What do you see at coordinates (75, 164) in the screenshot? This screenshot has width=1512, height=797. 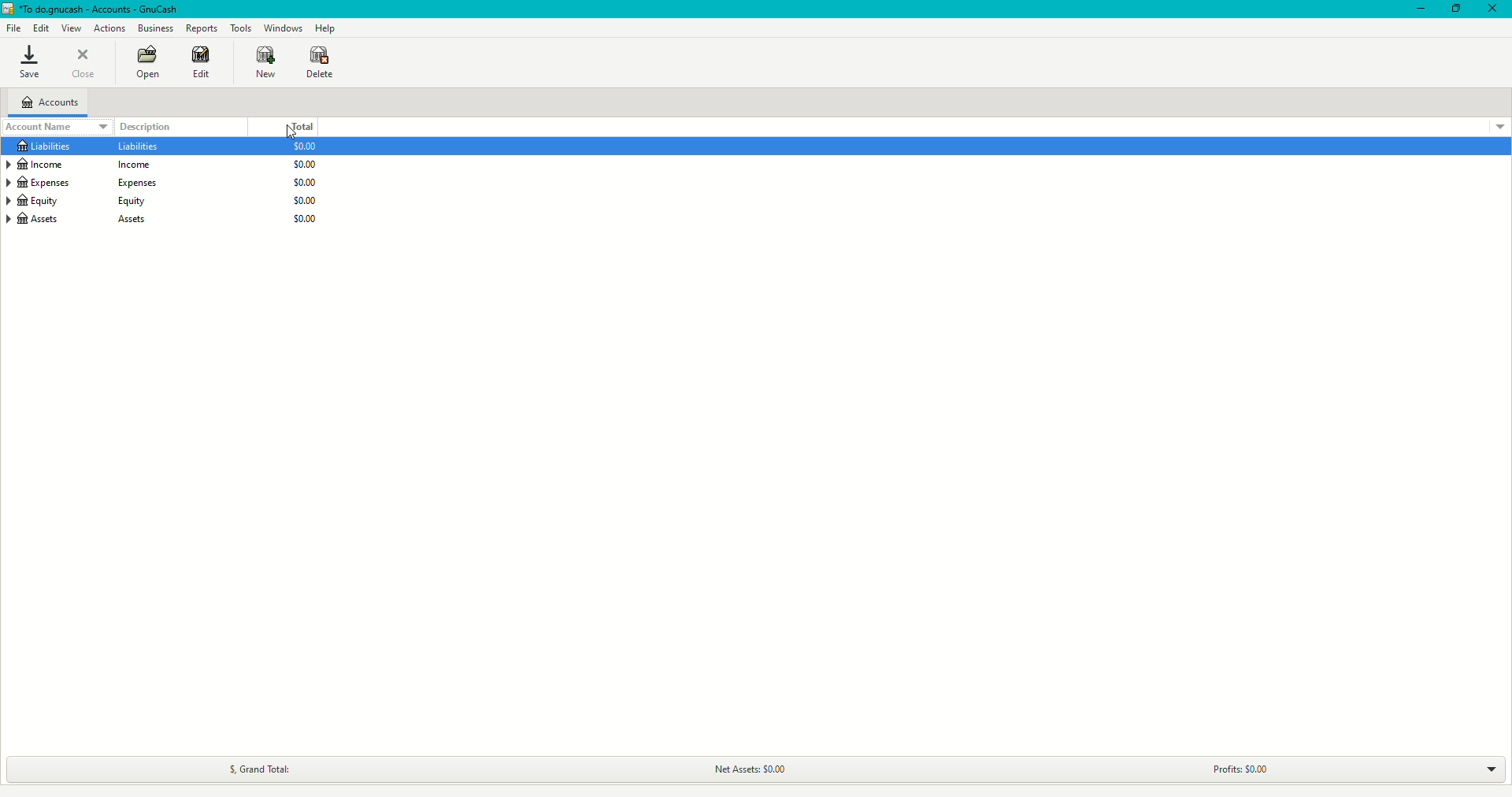 I see `Income` at bounding box center [75, 164].